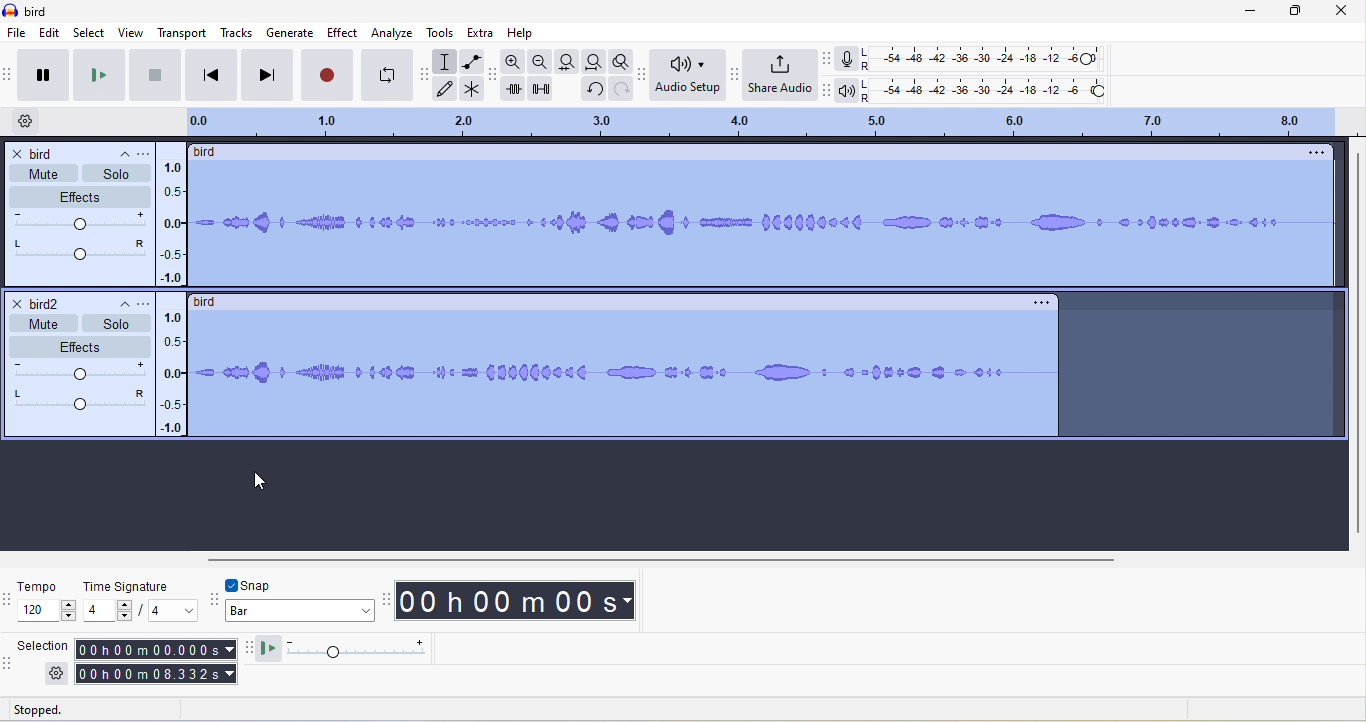 This screenshot has height=722, width=1366. What do you see at coordinates (288, 35) in the screenshot?
I see `generate` at bounding box center [288, 35].